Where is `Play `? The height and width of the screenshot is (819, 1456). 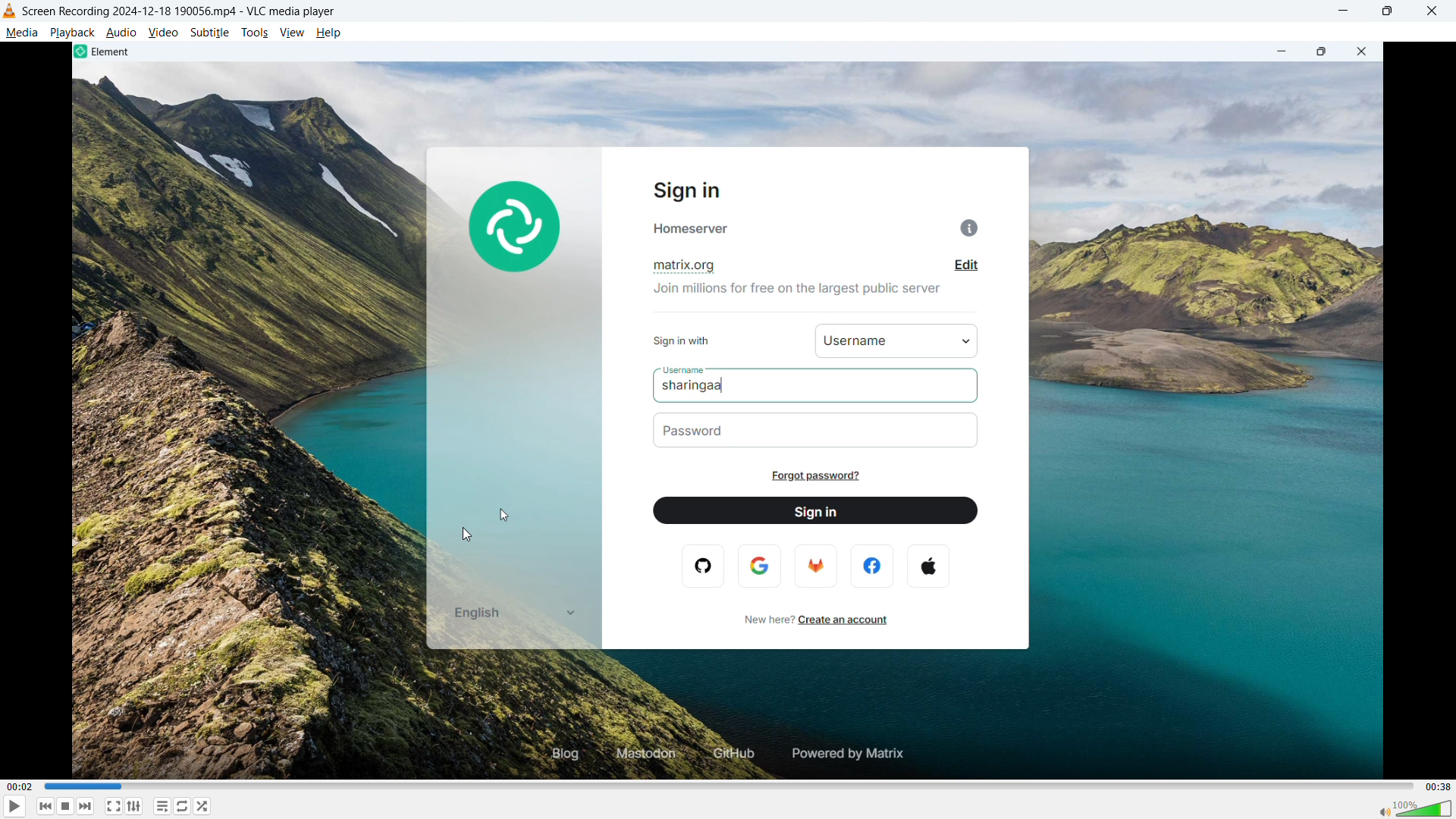 Play  is located at coordinates (14, 806).